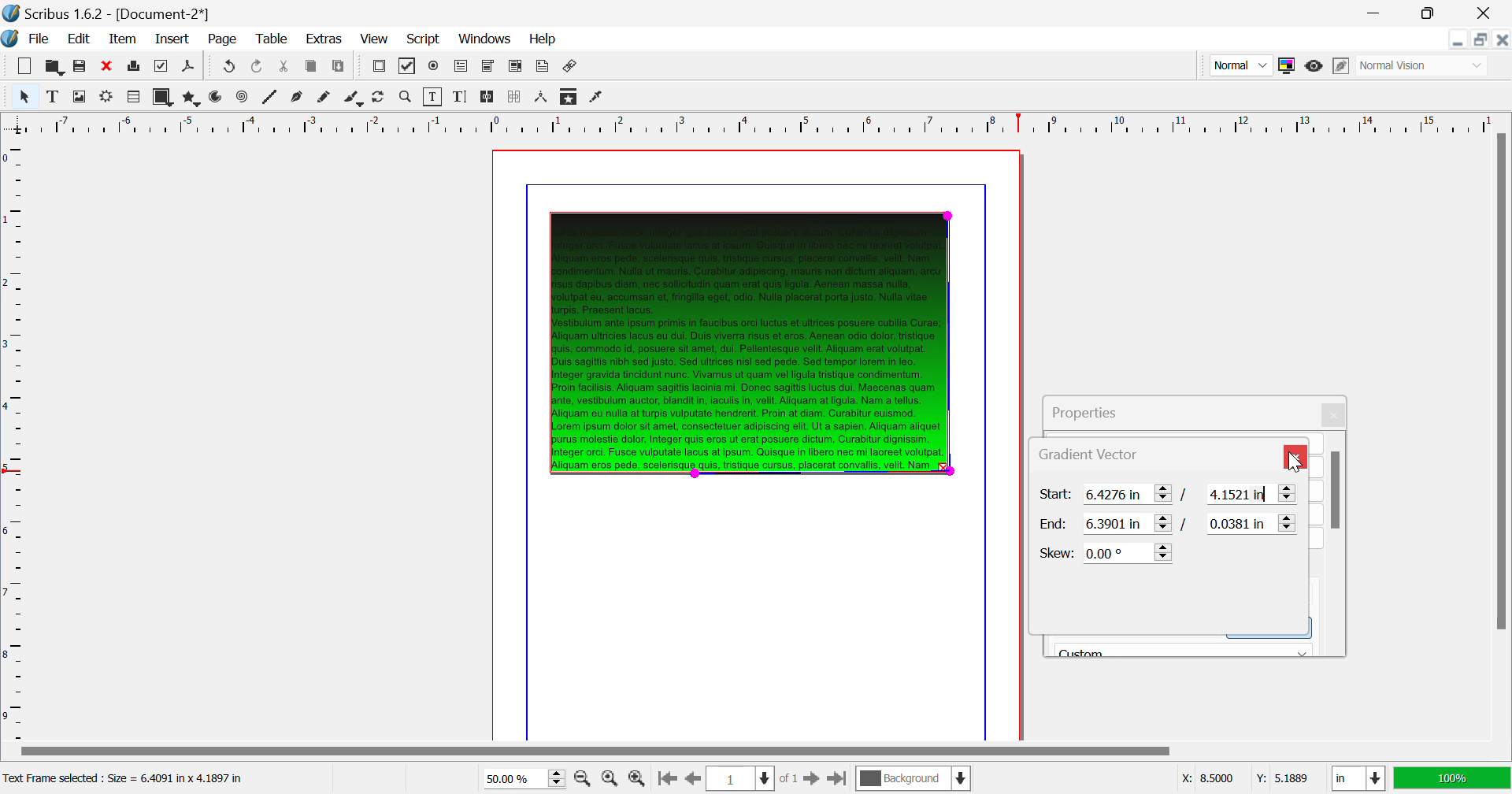 The height and width of the screenshot is (794, 1512). I want to click on Save as PDF, so click(189, 68).